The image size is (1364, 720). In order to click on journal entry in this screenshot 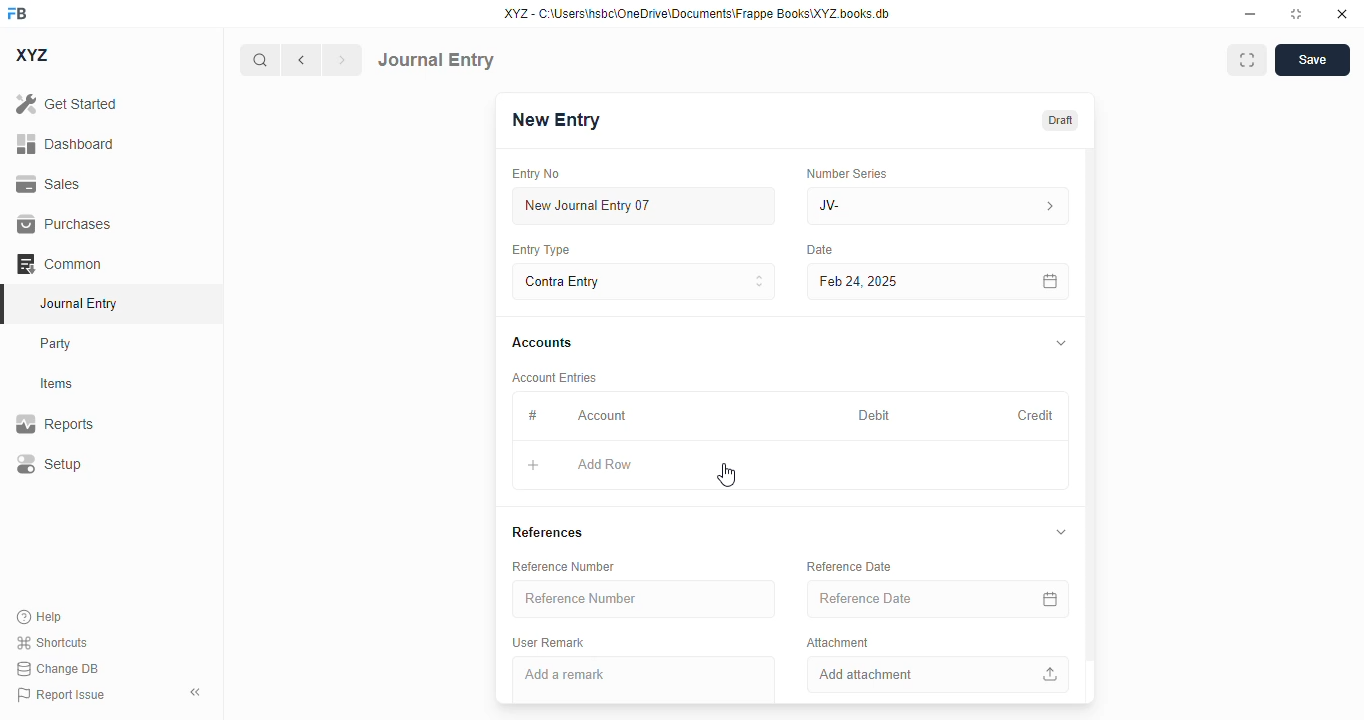, I will do `click(80, 303)`.